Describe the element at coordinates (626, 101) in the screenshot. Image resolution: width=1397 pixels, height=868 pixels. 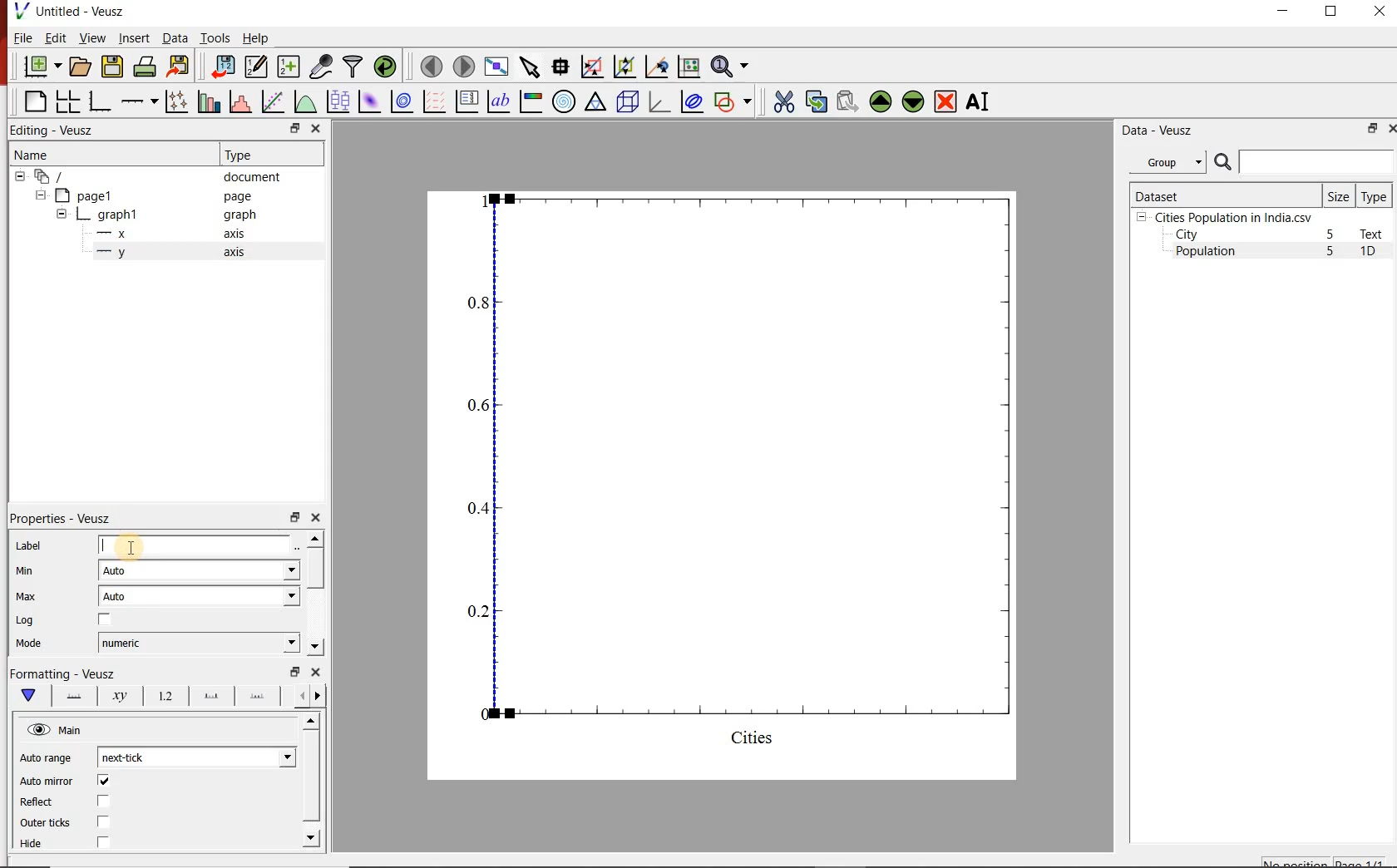
I see `3d scene` at that location.